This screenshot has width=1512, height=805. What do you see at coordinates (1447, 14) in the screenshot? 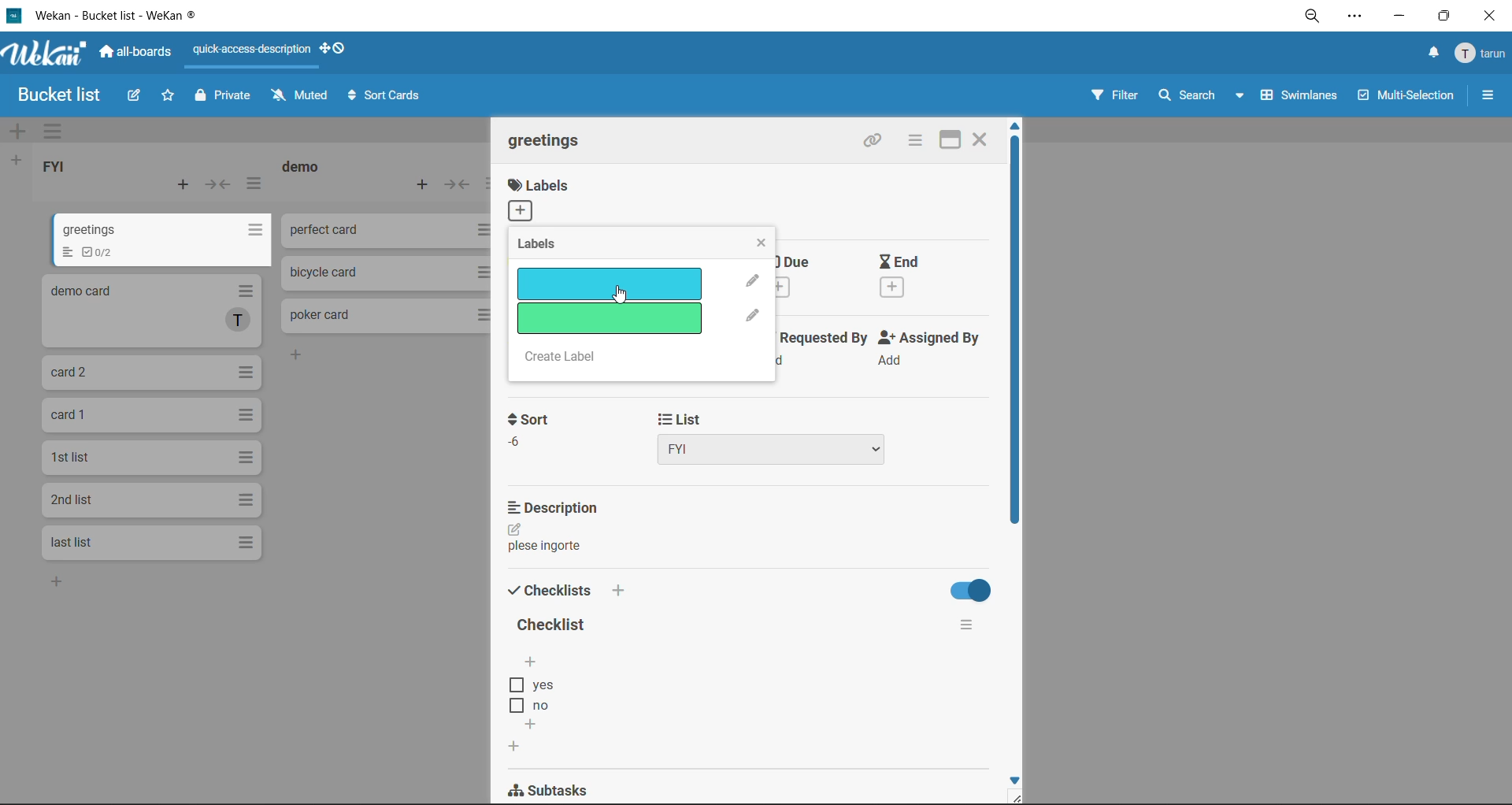
I see `maximize` at bounding box center [1447, 14].